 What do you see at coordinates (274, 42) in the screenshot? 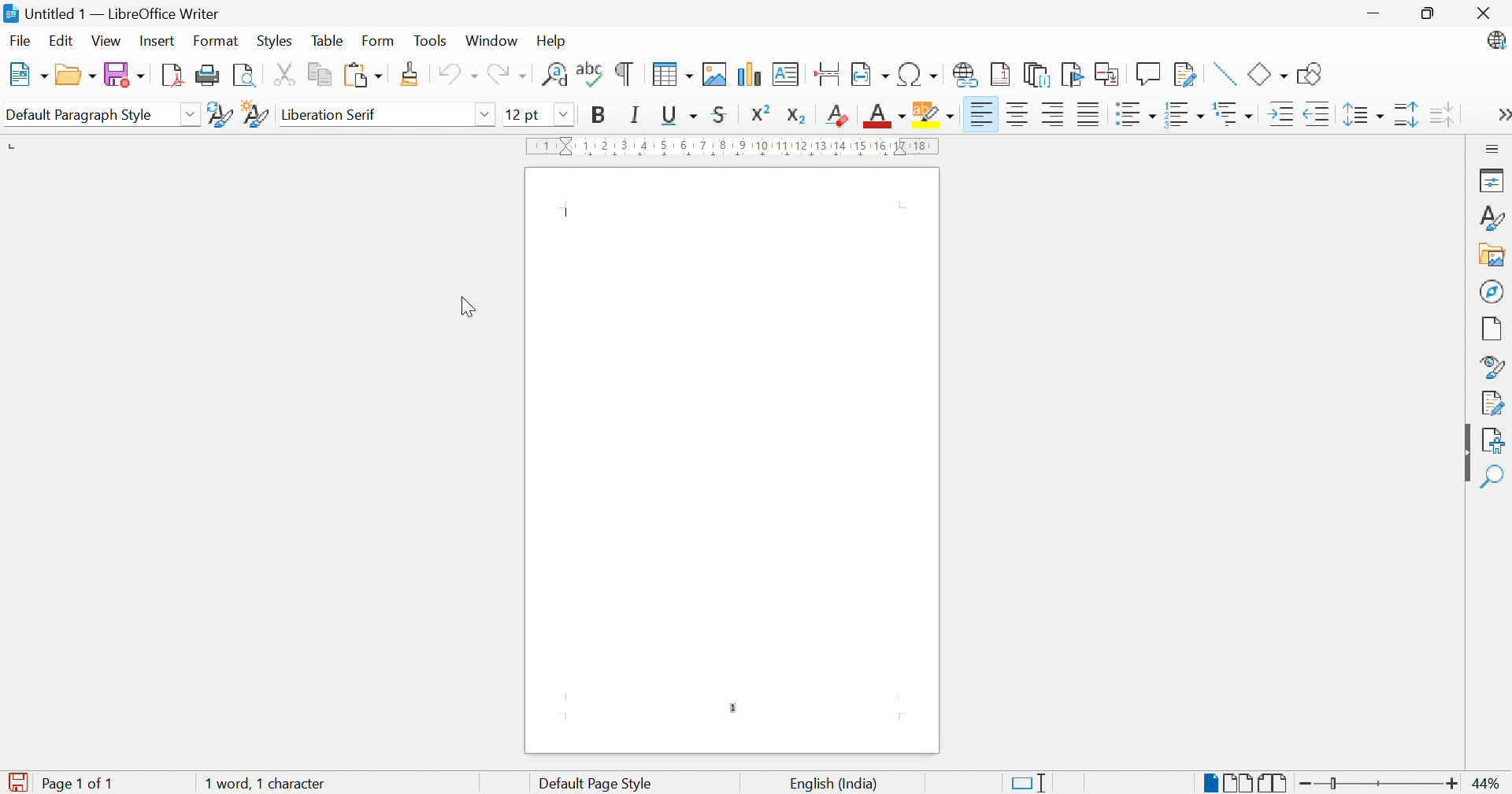
I see `Styles` at bounding box center [274, 42].